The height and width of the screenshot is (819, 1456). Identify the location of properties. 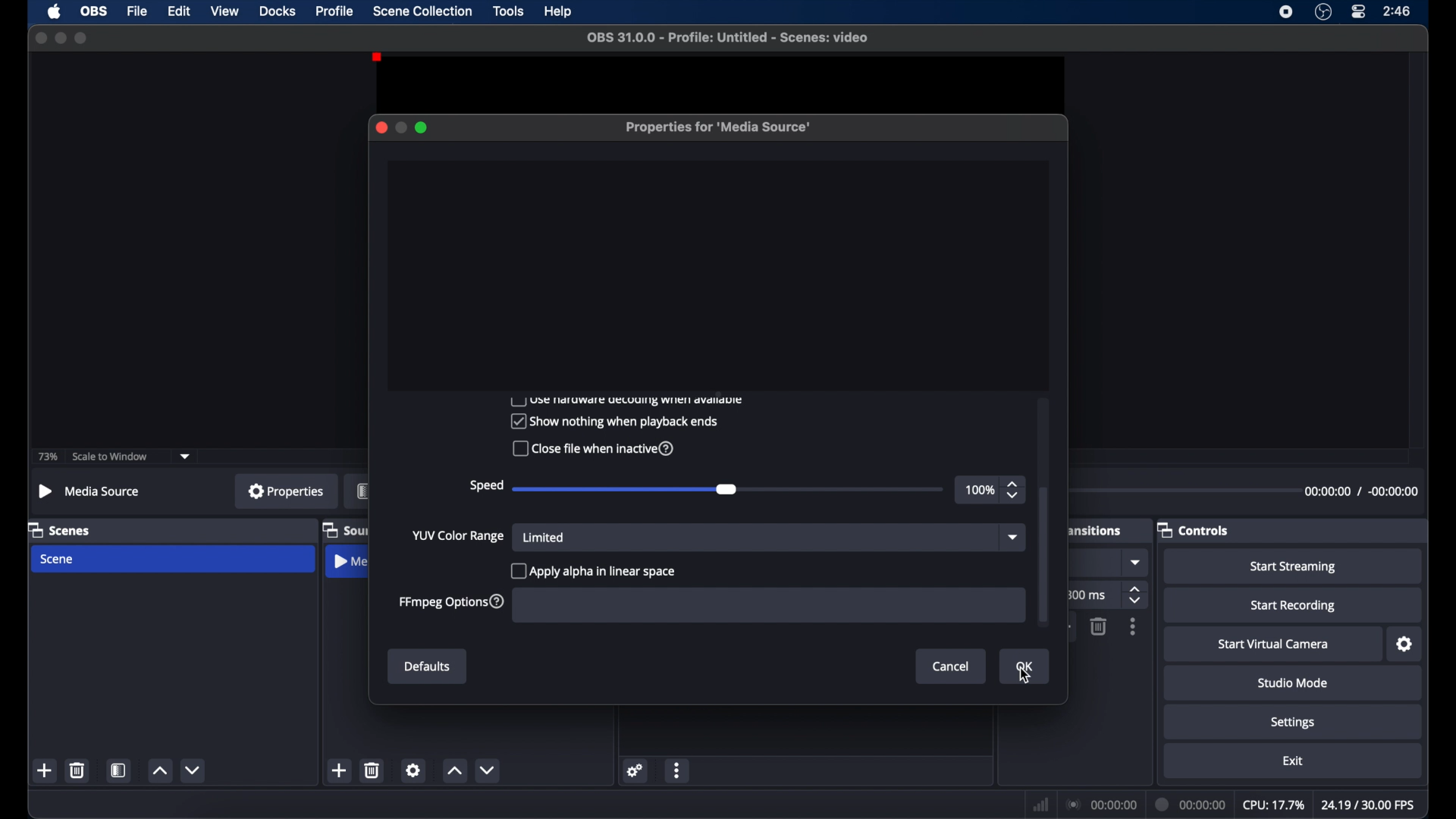
(286, 491).